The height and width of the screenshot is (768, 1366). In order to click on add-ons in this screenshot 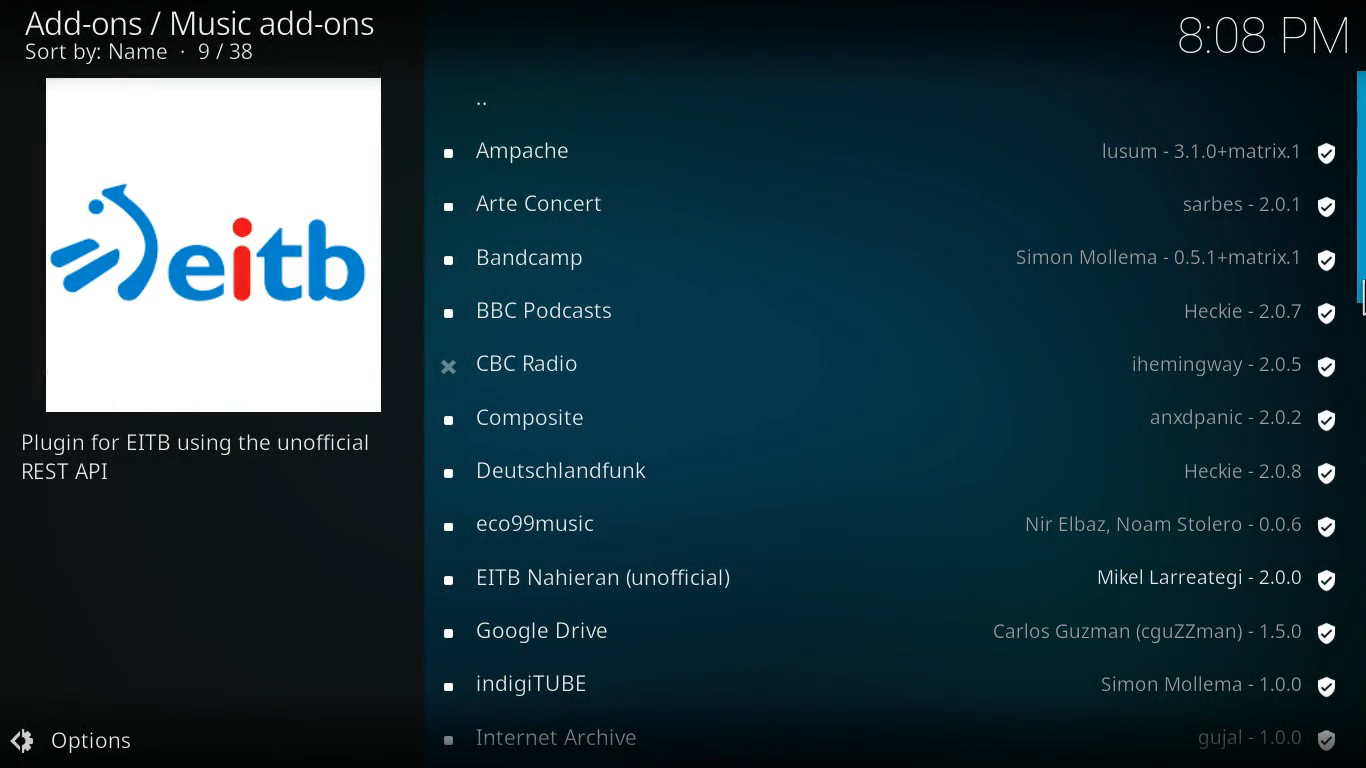, I will do `click(606, 577)`.